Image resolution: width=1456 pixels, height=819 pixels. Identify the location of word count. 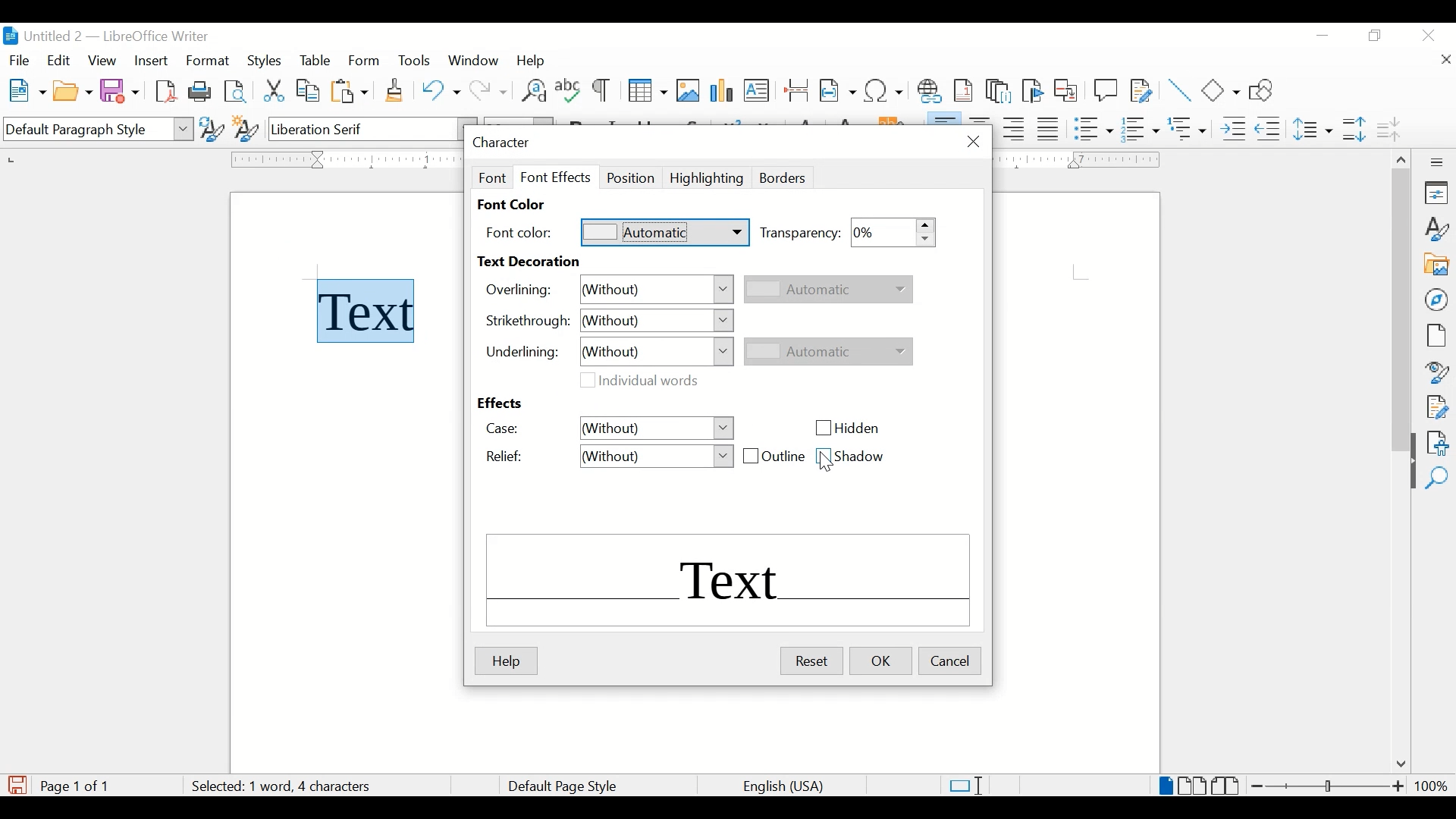
(305, 787).